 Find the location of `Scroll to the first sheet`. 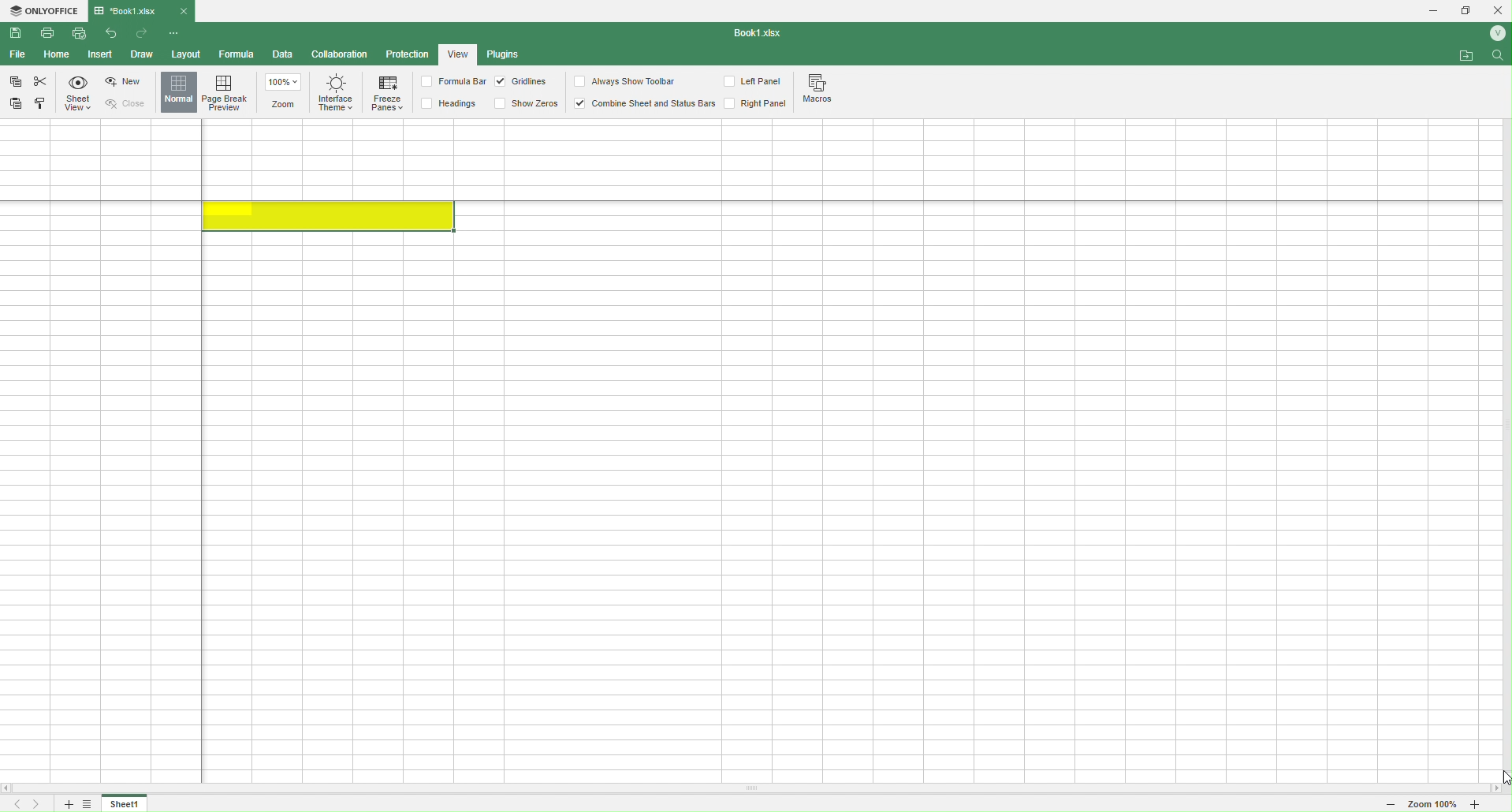

Scroll to the first sheet is located at coordinates (14, 805).